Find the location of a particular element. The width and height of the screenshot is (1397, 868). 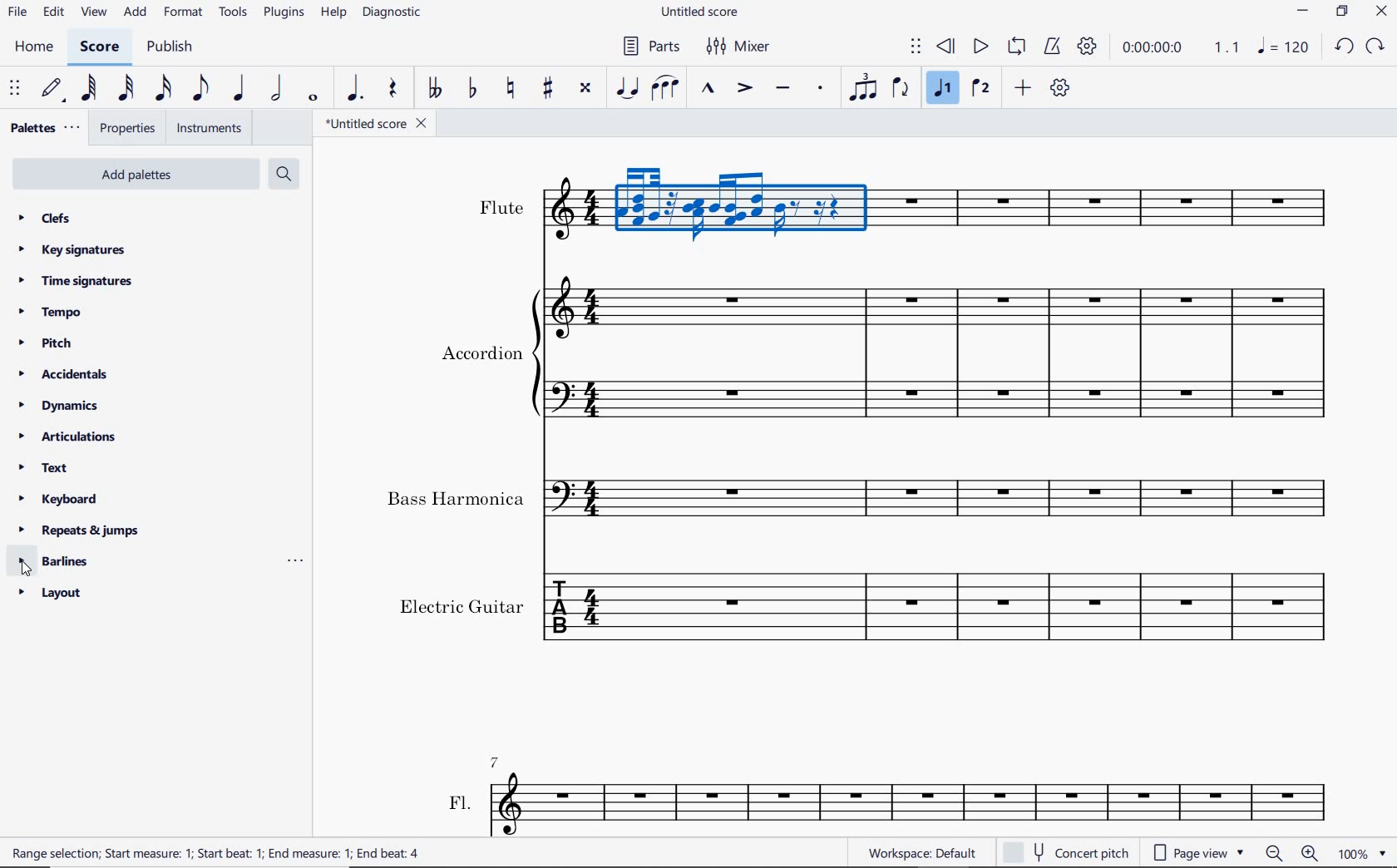

tools is located at coordinates (233, 13).